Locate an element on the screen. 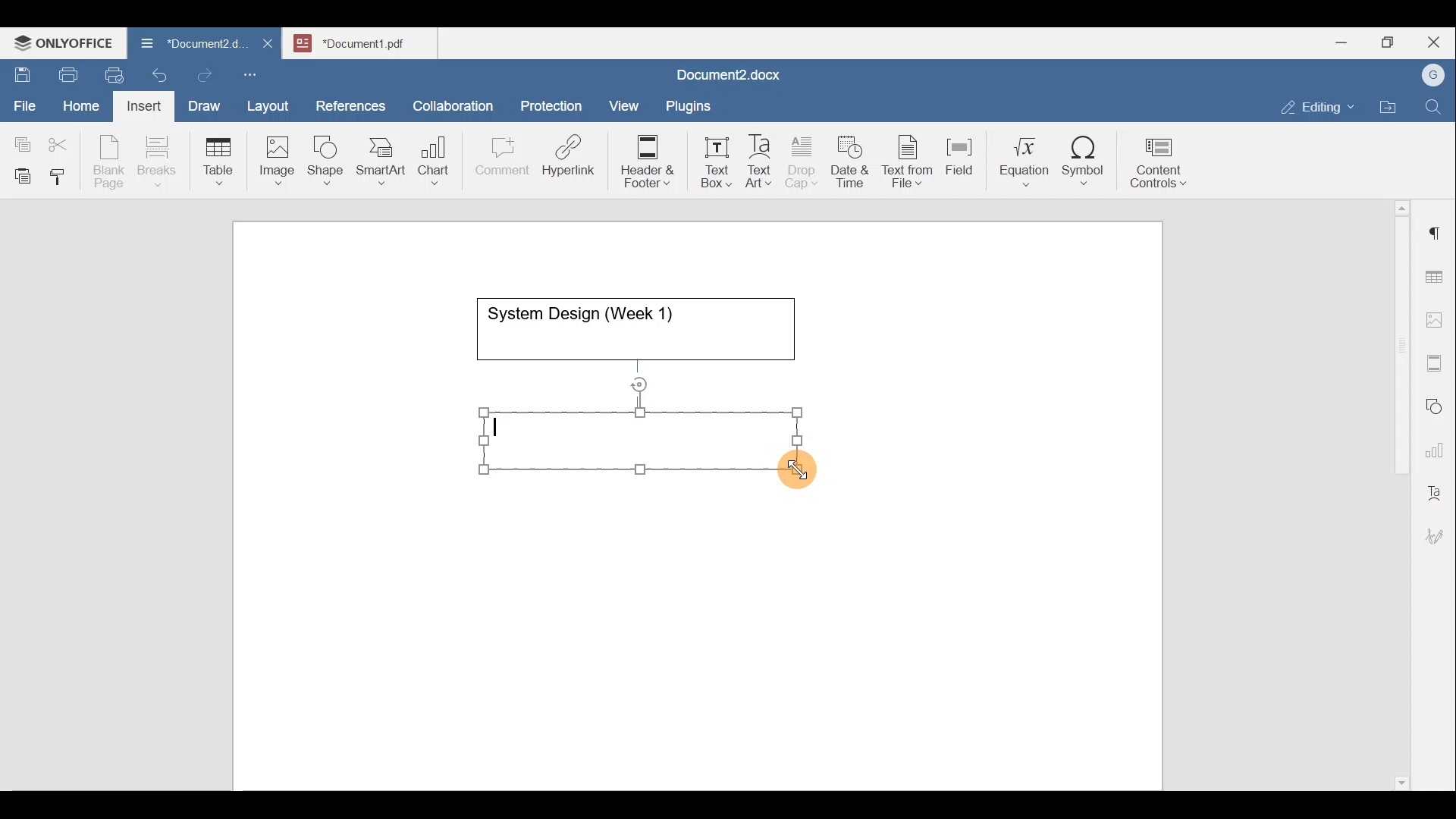 The image size is (1456, 819). Cut is located at coordinates (64, 141).